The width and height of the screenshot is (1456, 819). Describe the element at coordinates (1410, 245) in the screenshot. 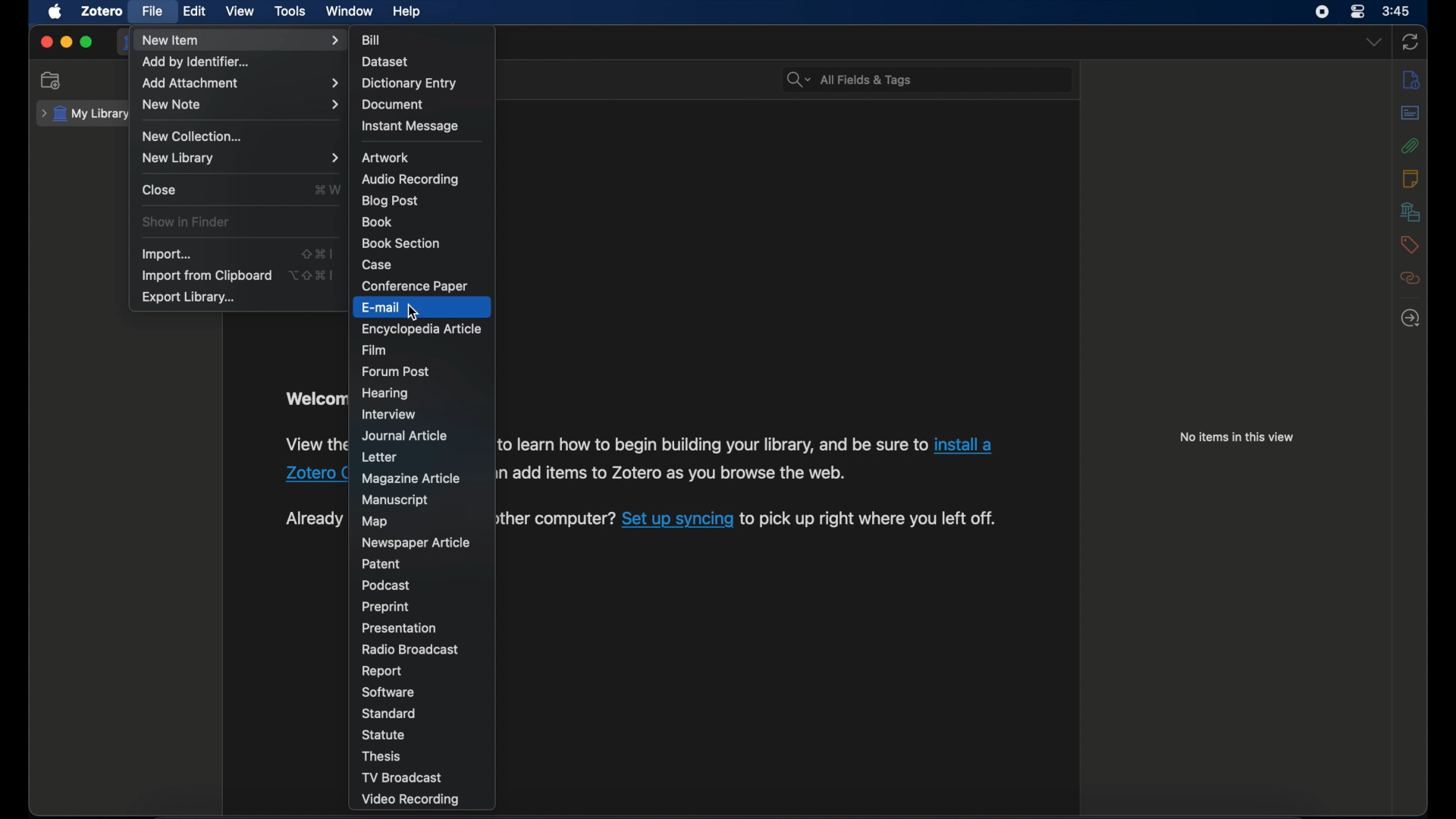

I see `tags` at that location.